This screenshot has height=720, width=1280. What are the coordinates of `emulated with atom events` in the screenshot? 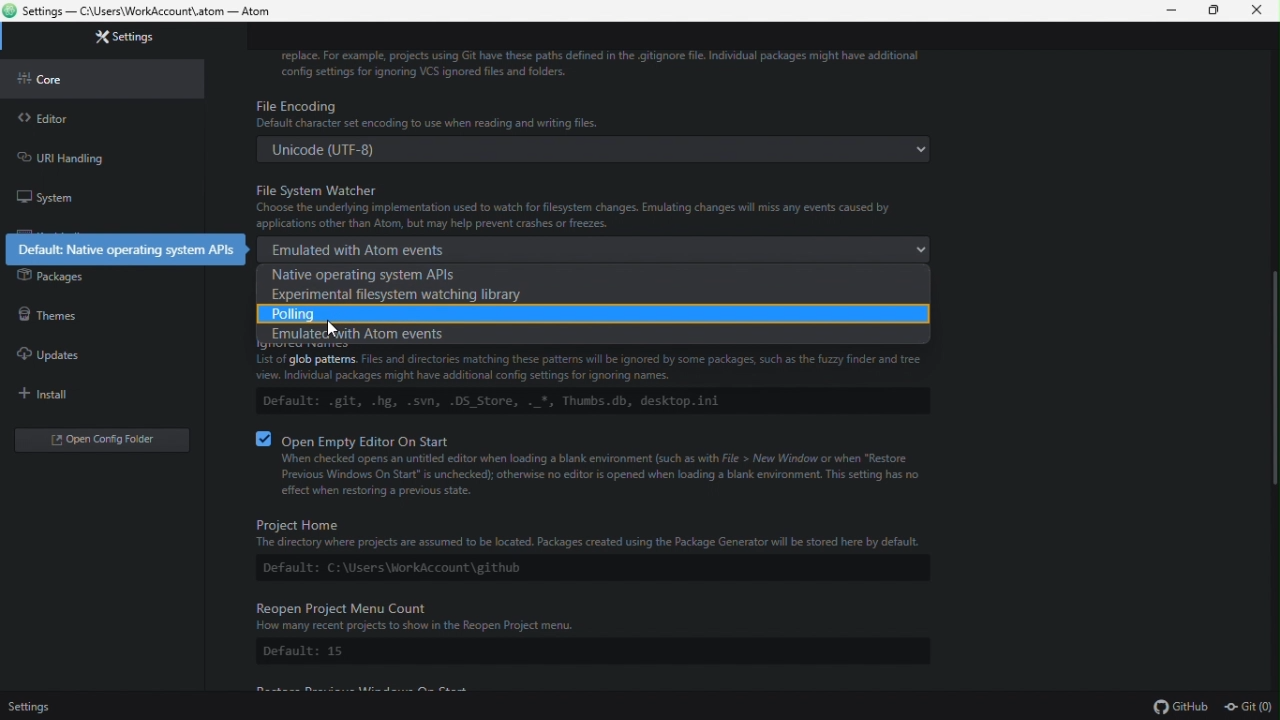 It's located at (592, 250).